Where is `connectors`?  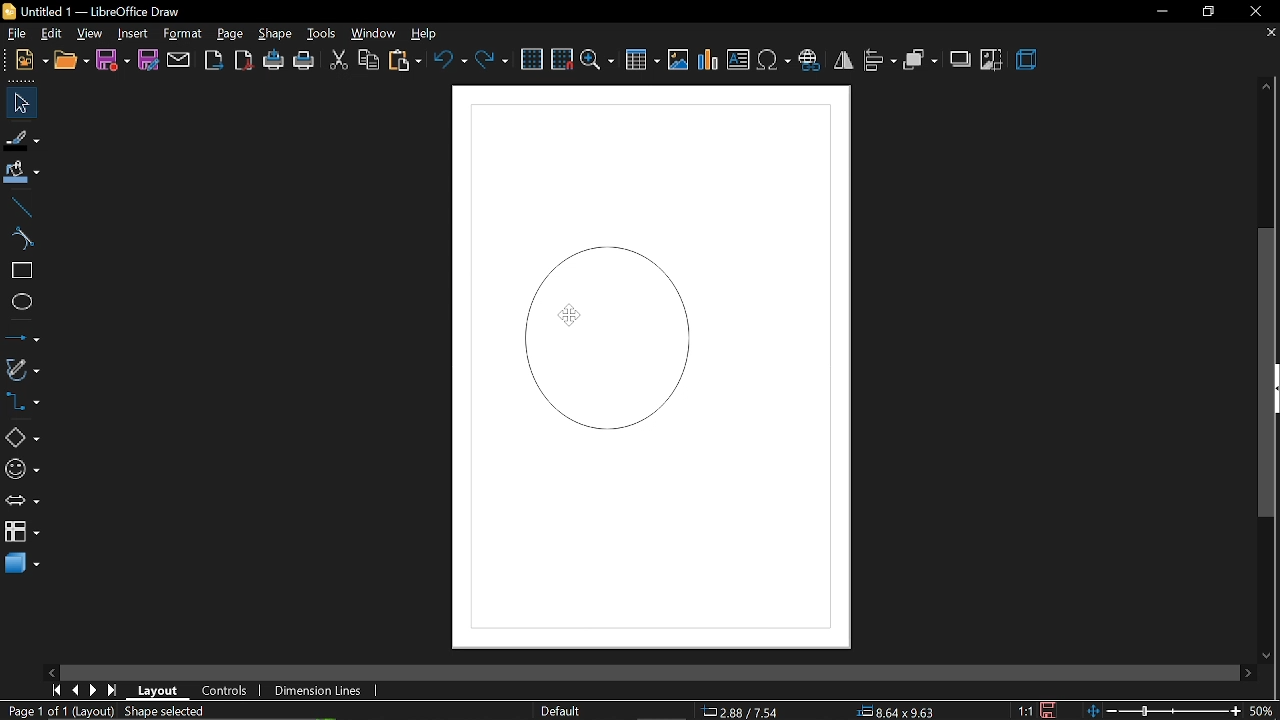 connectors is located at coordinates (24, 402).